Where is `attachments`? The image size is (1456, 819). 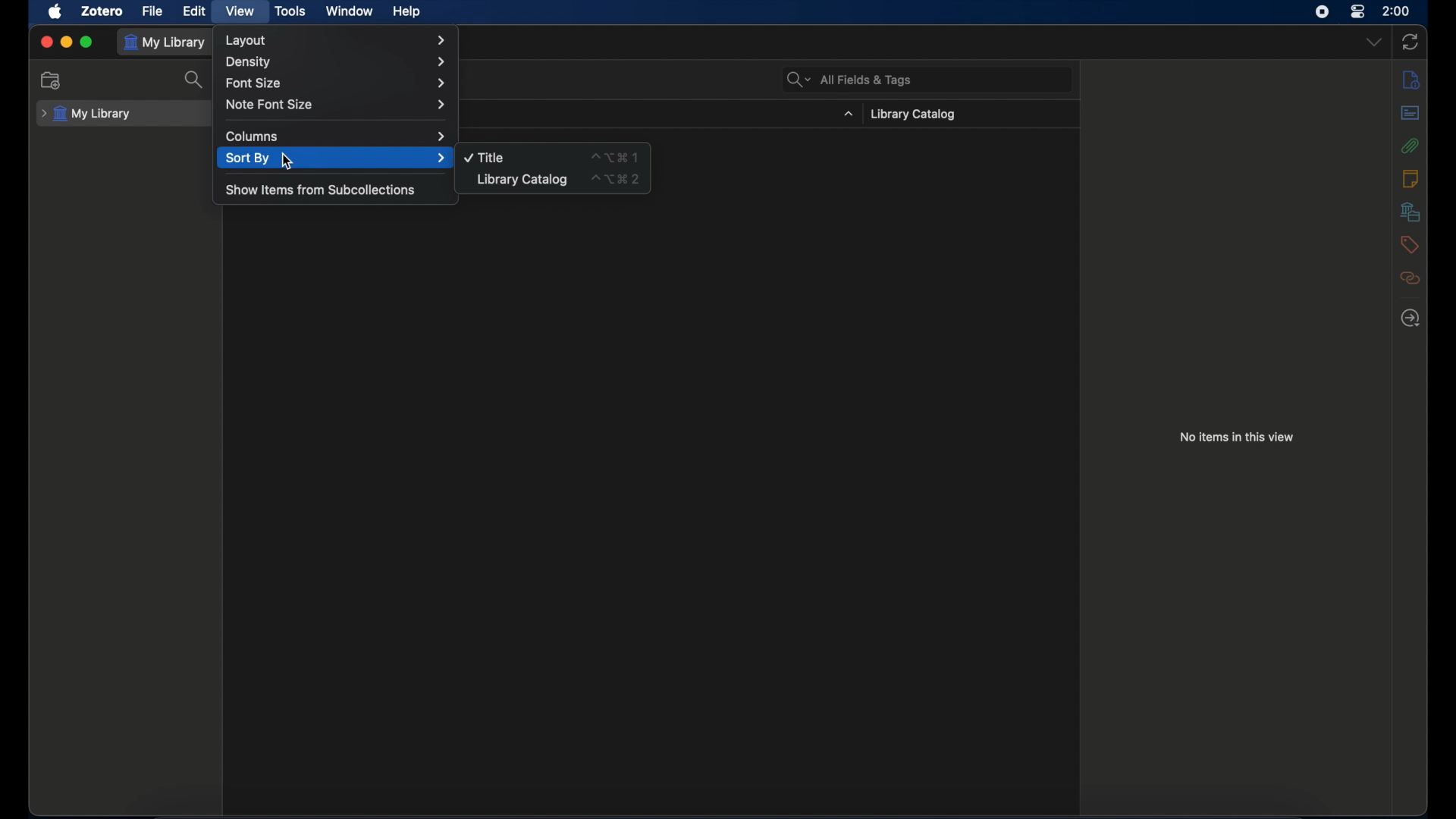
attachments is located at coordinates (1412, 146).